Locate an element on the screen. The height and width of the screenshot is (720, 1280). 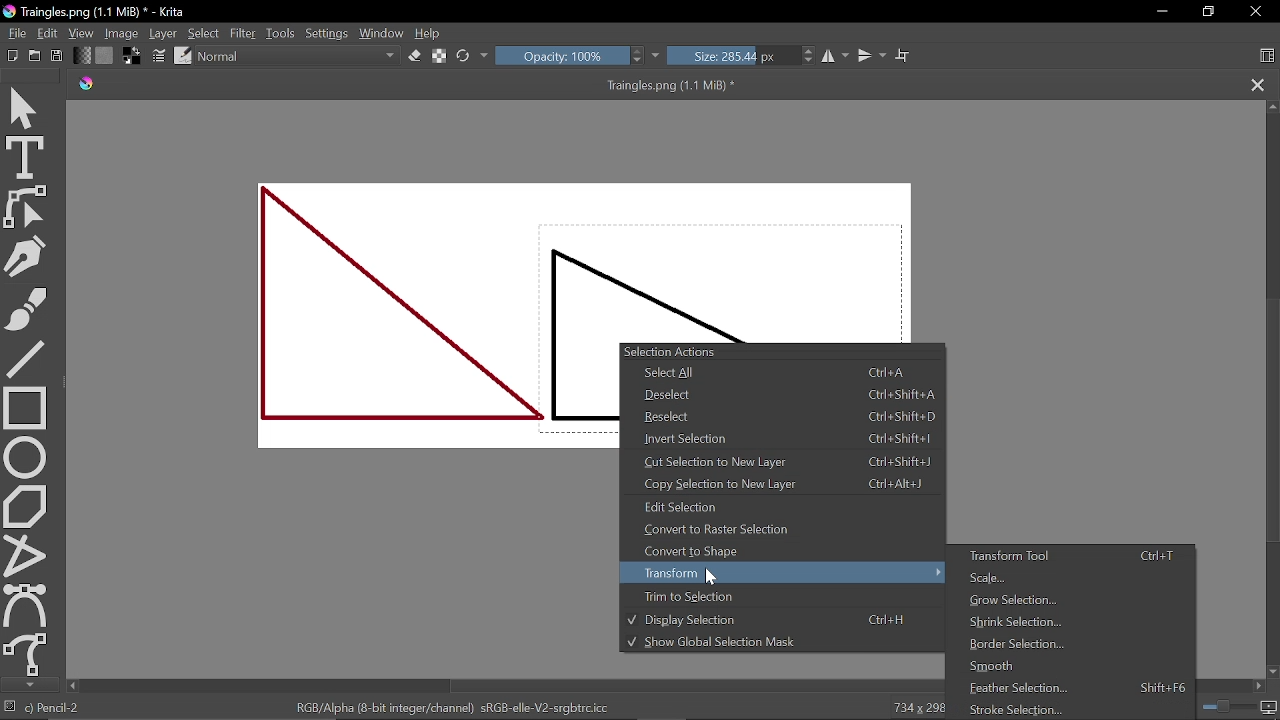
Help is located at coordinates (430, 34).